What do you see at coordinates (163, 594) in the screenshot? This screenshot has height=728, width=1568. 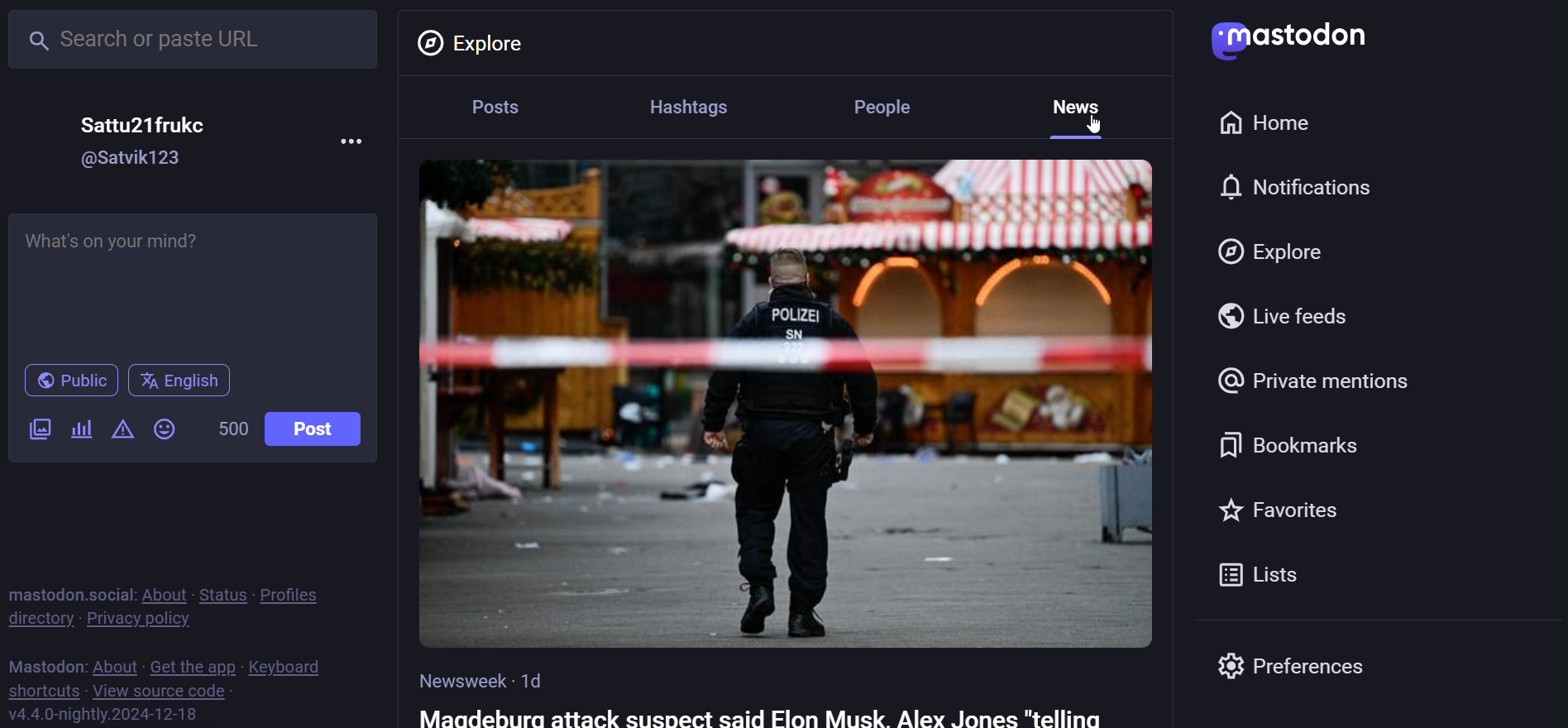 I see `about` at bounding box center [163, 594].